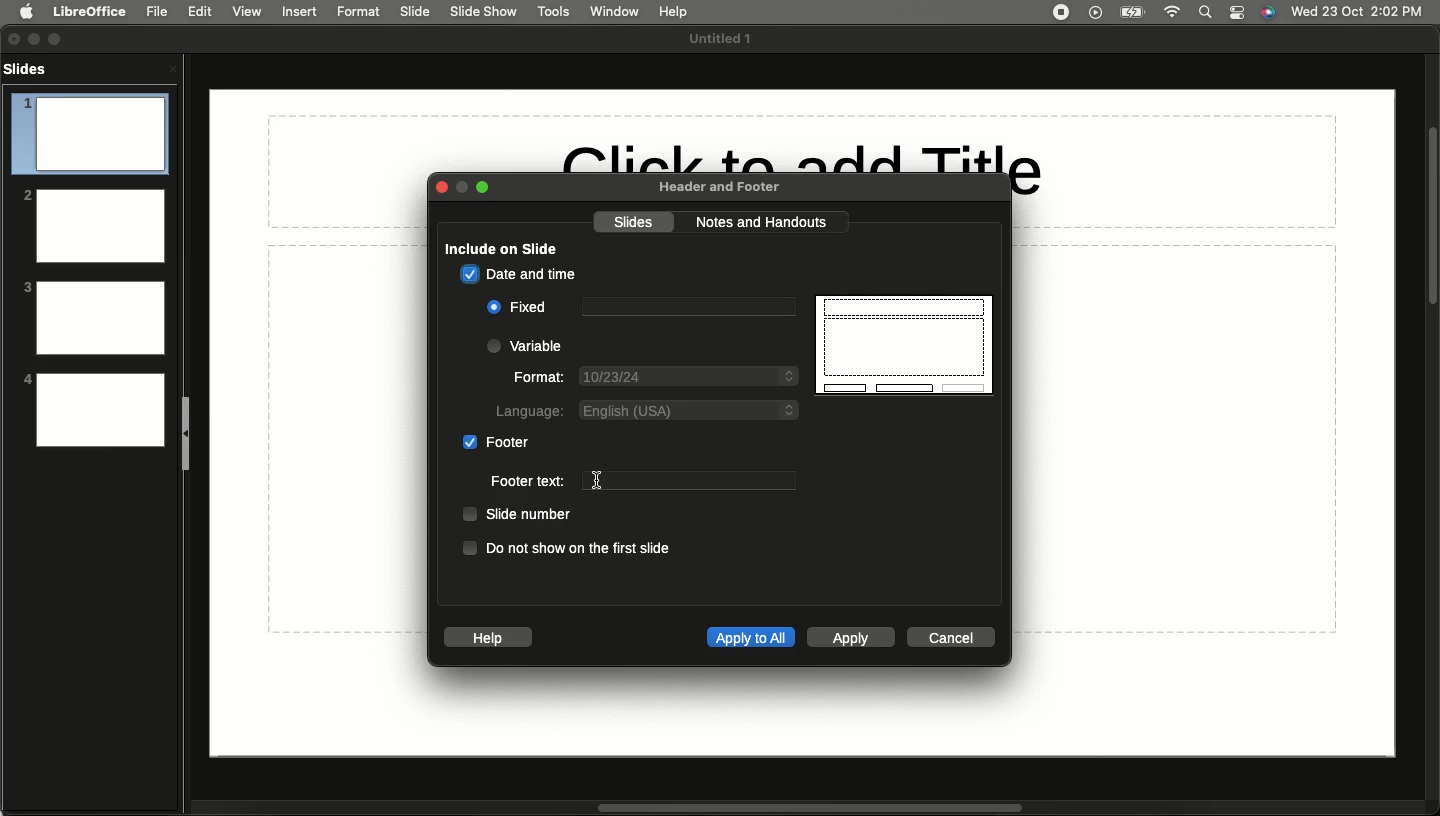 This screenshot has height=816, width=1440. What do you see at coordinates (528, 345) in the screenshot?
I see `Variable` at bounding box center [528, 345].